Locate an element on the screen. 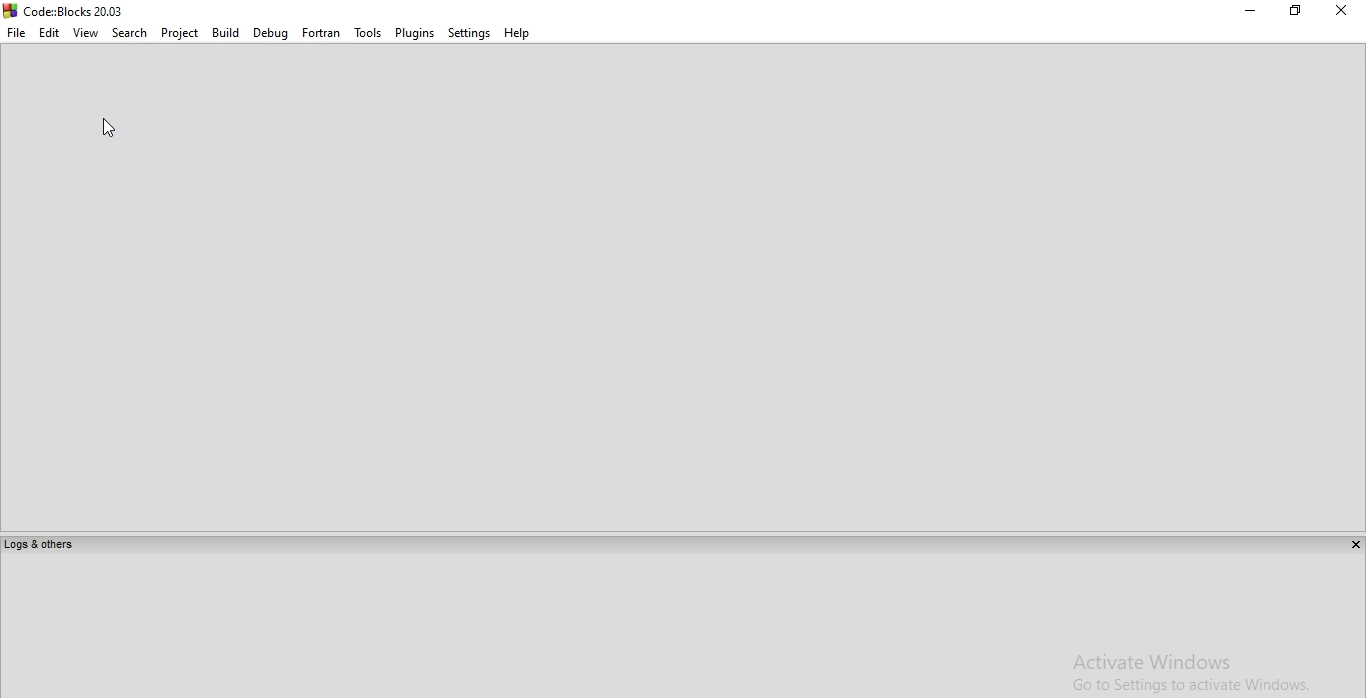 This screenshot has width=1366, height=698. Tools  is located at coordinates (367, 32).